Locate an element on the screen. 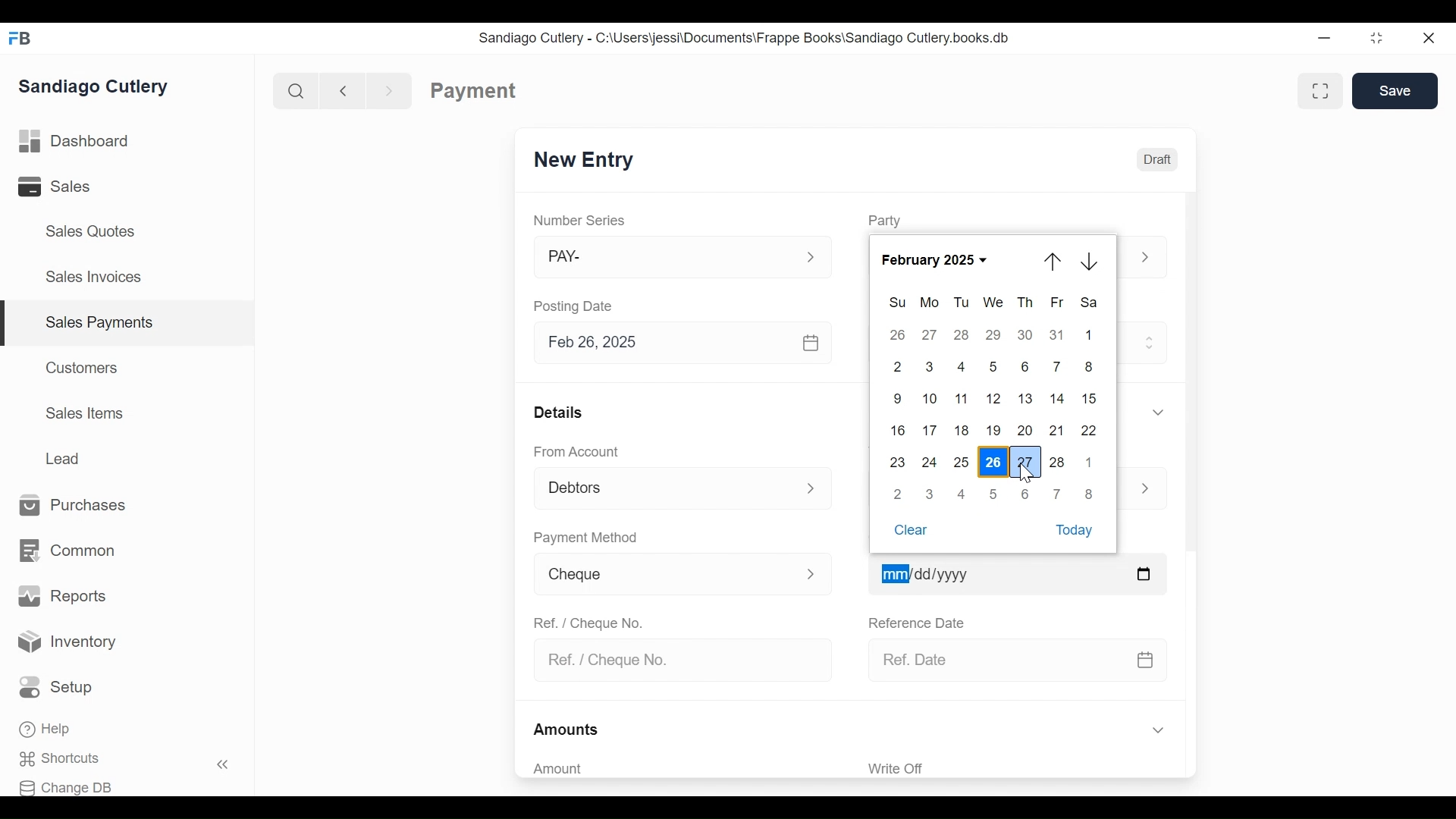 Image resolution: width=1456 pixels, height=819 pixels. Inventory is located at coordinates (68, 642).